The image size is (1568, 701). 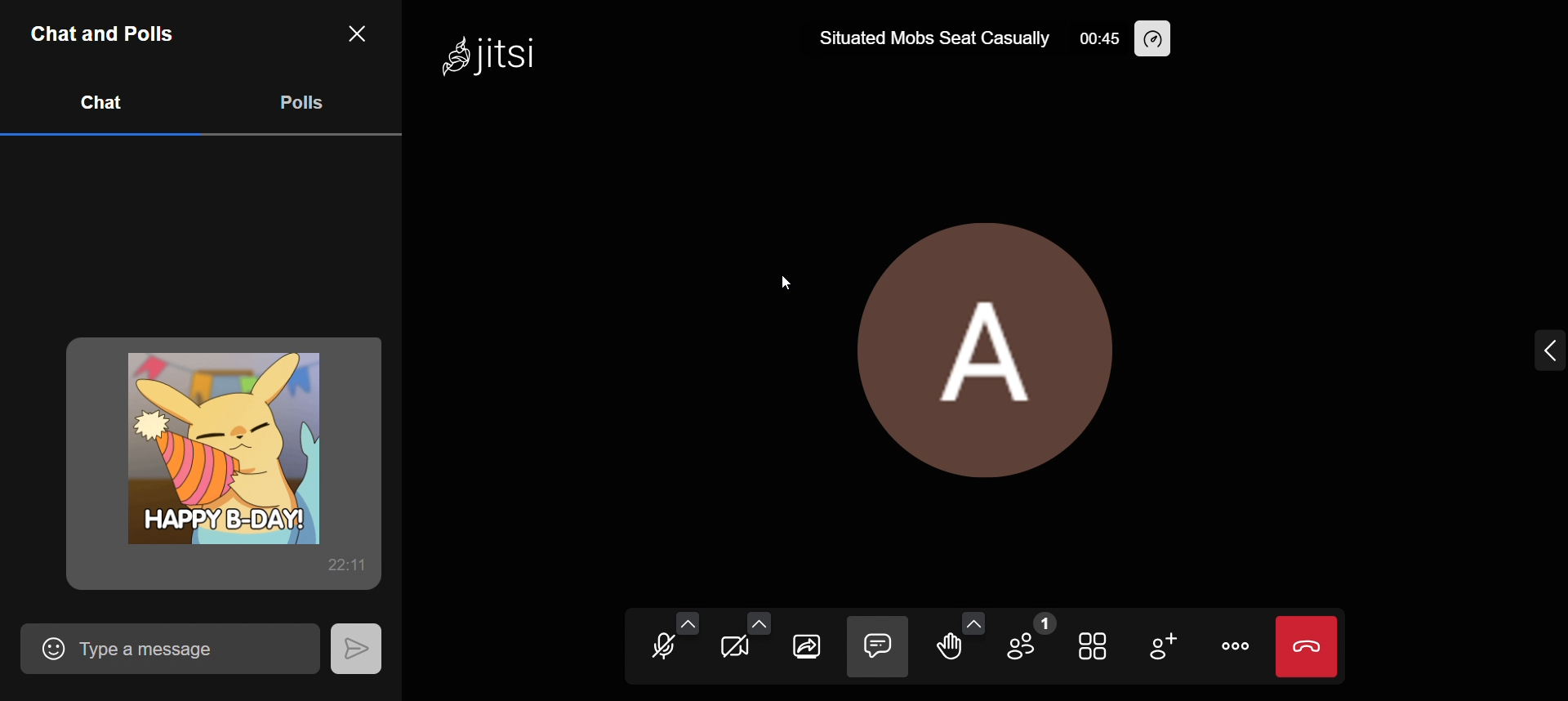 What do you see at coordinates (43, 648) in the screenshot?
I see `add emoji` at bounding box center [43, 648].